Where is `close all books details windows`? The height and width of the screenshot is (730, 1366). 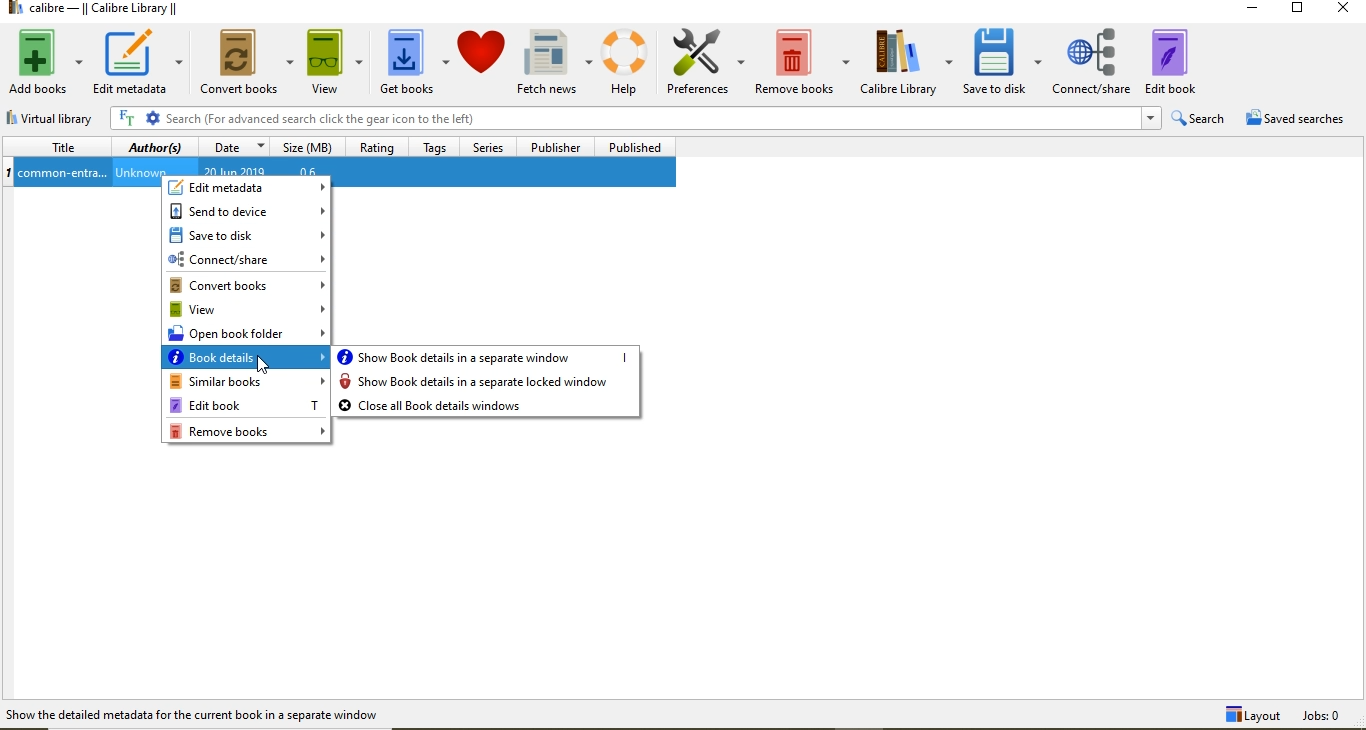
close all books details windows is located at coordinates (488, 406).